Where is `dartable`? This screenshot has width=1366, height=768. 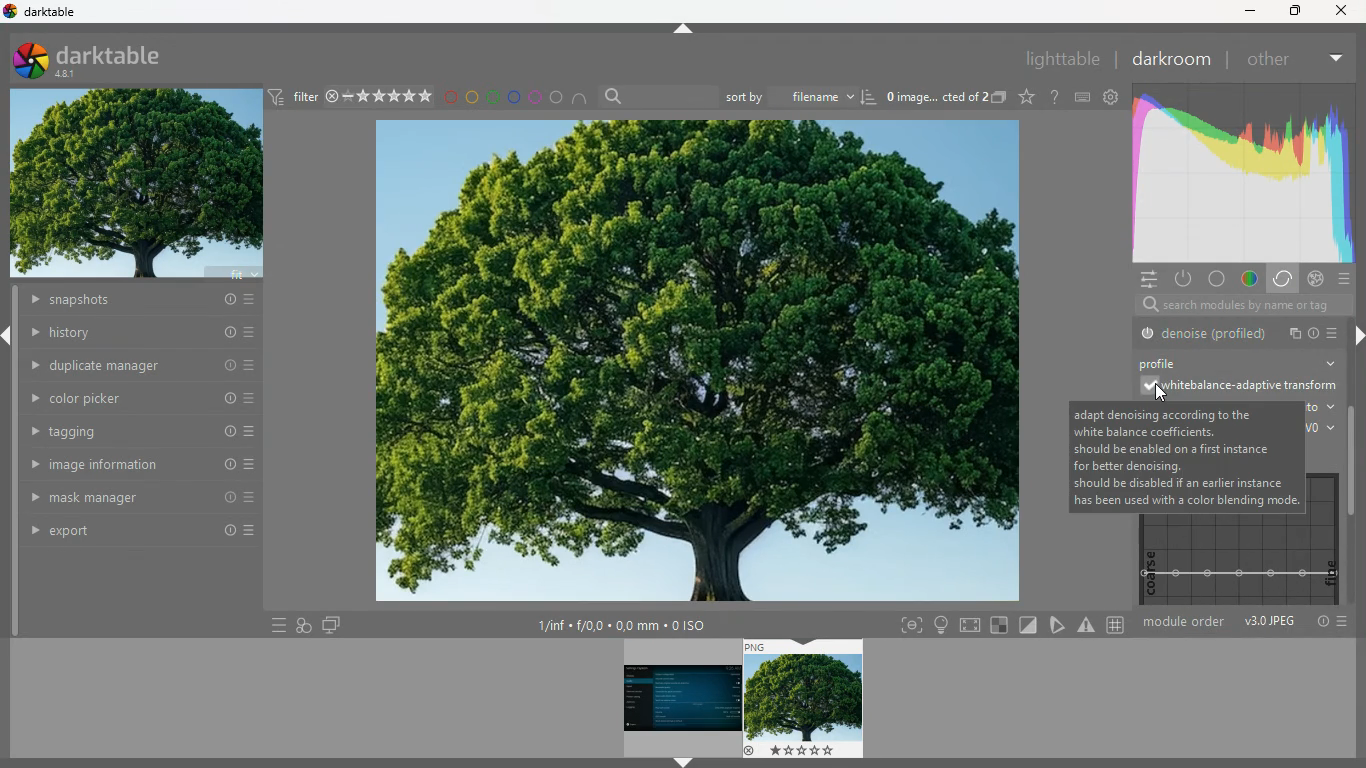
dartable is located at coordinates (42, 12).